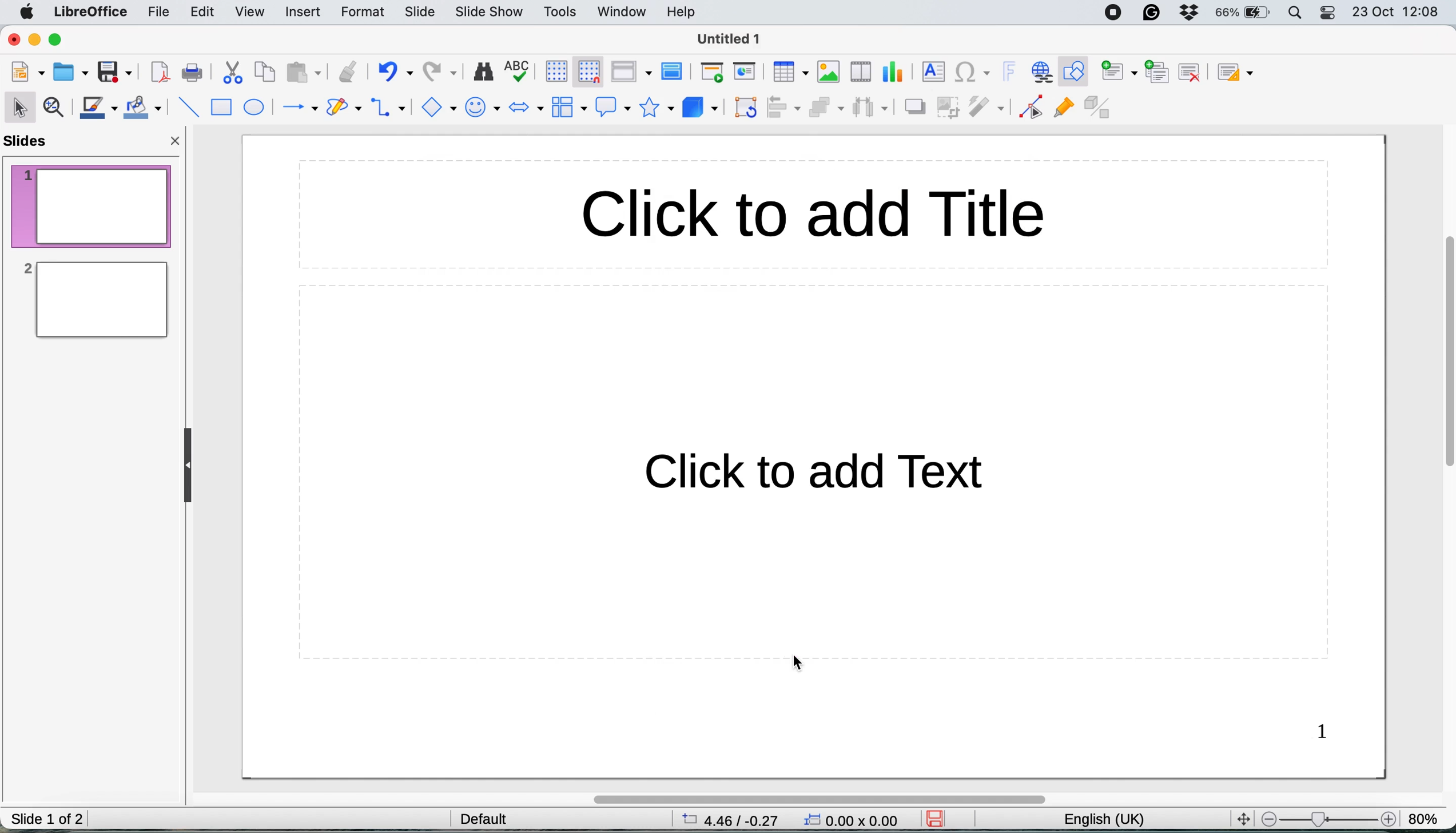 Image resolution: width=1456 pixels, height=833 pixels. Describe the element at coordinates (655, 108) in the screenshot. I see `stars and banners` at that location.